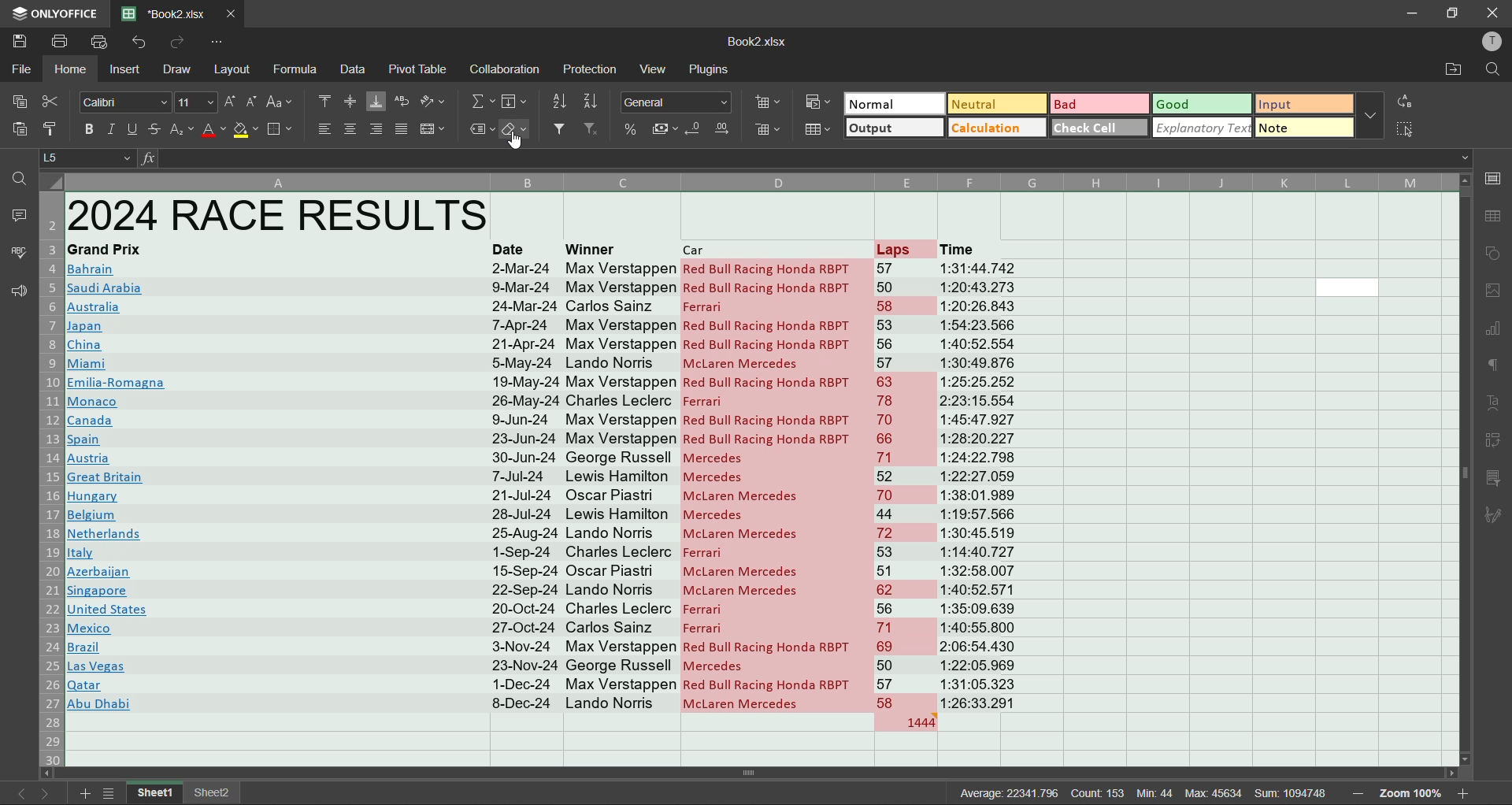  Describe the element at coordinates (85, 793) in the screenshot. I see `add list` at that location.